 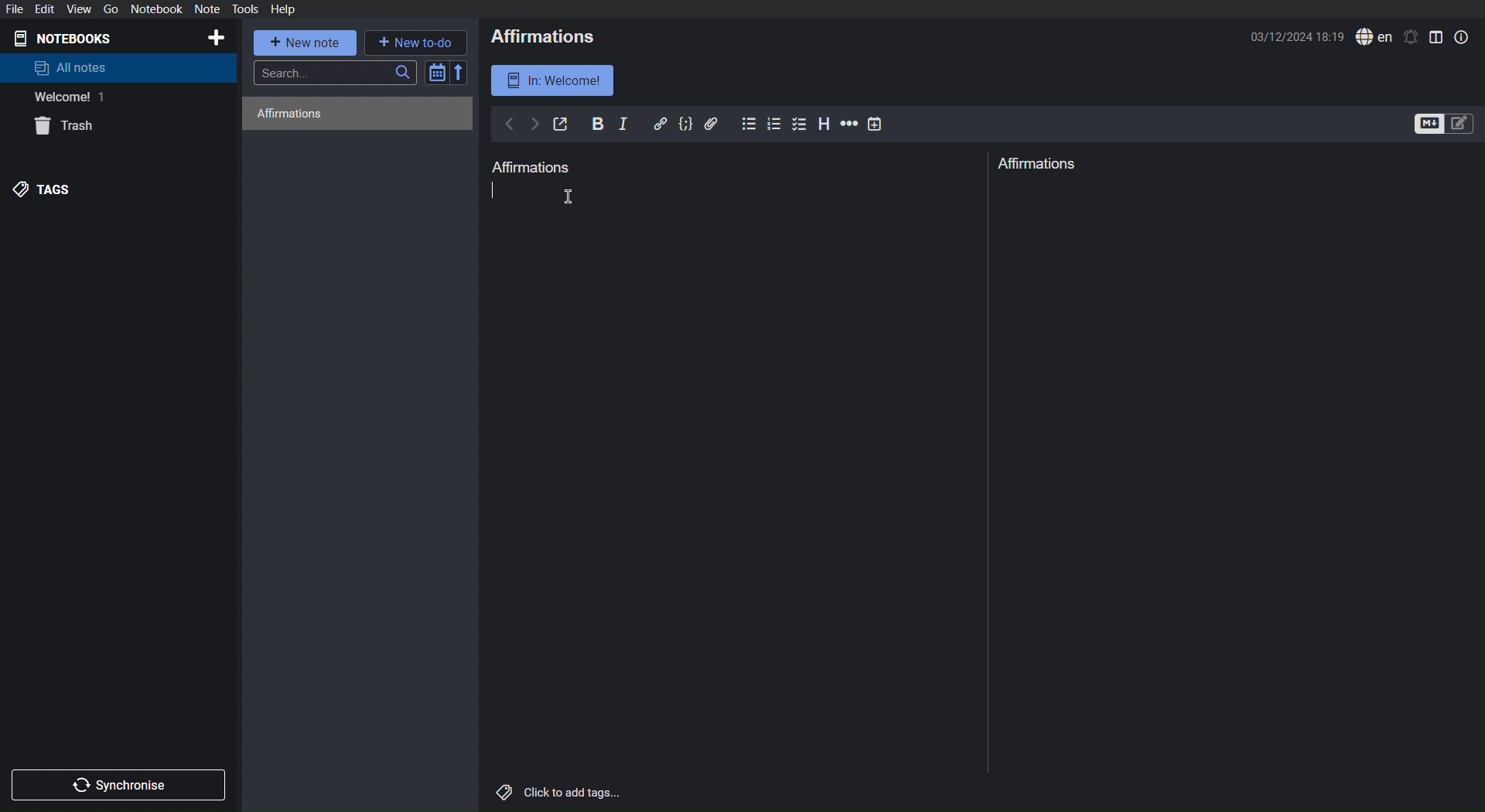 I want to click on Edit, so click(x=47, y=9).